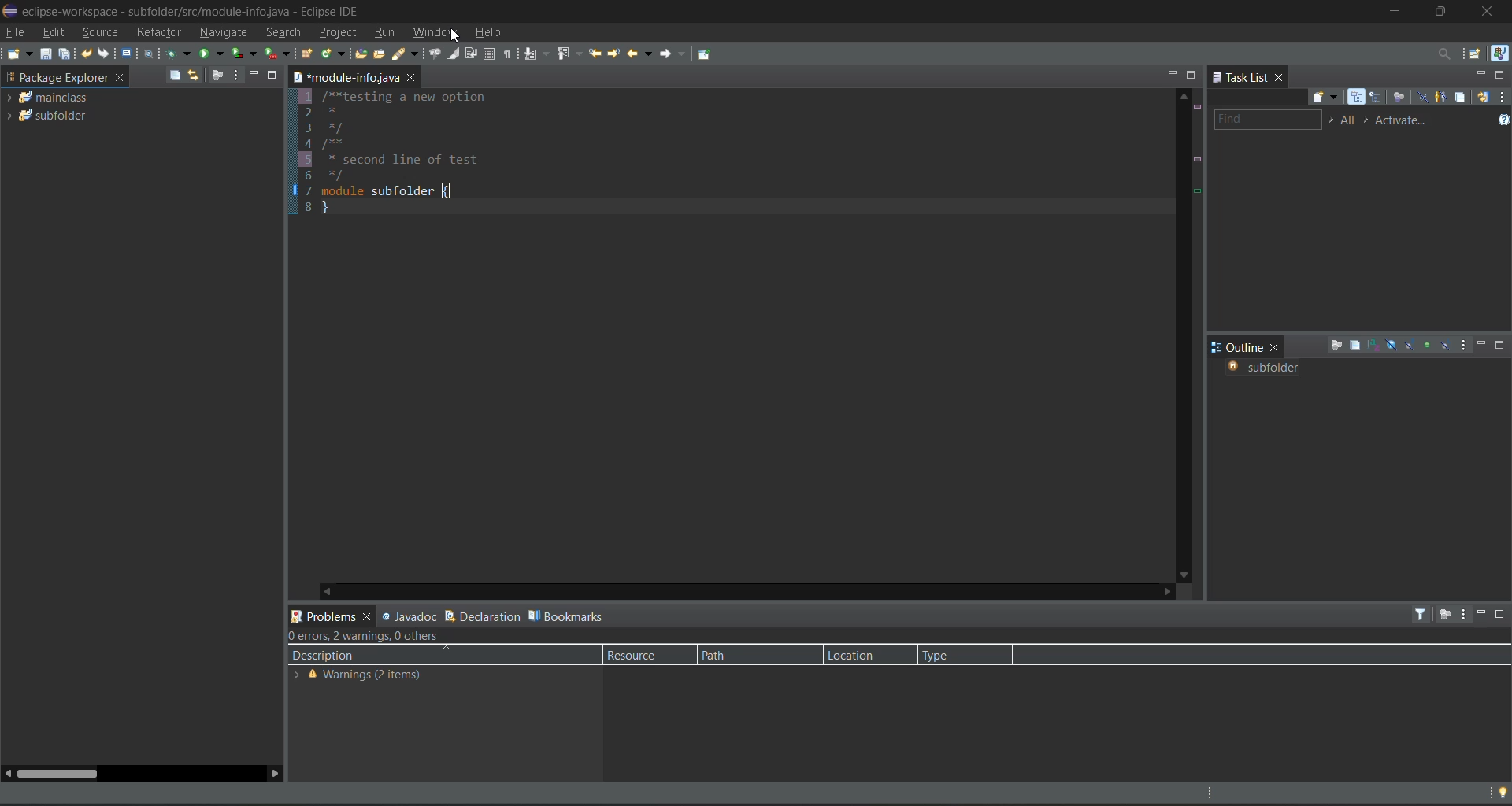 The image size is (1512, 806). Describe the element at coordinates (57, 773) in the screenshot. I see `horizontal scroll bar` at that location.